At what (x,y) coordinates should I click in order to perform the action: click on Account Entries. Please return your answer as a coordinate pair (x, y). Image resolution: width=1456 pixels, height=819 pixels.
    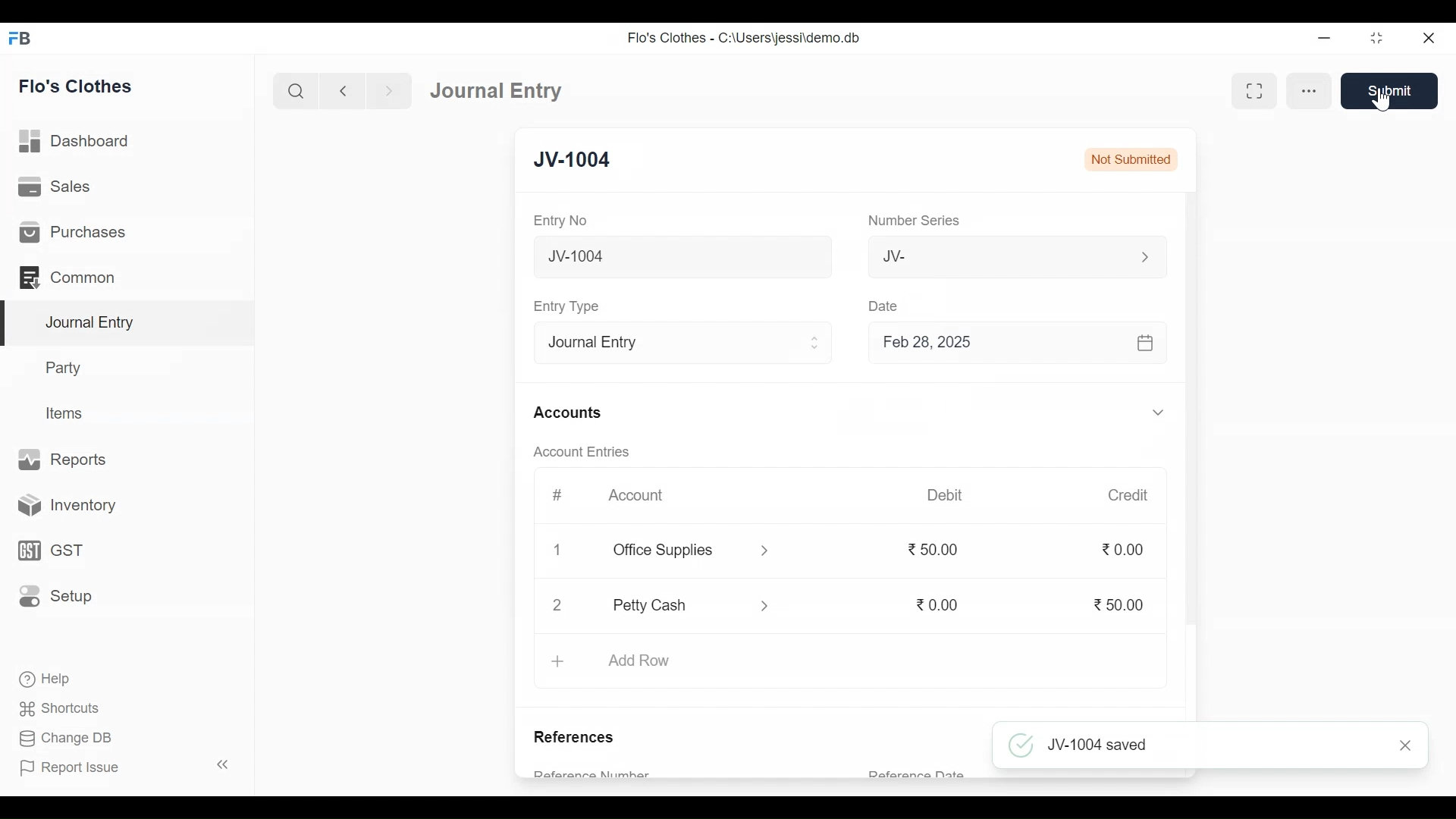
    Looking at the image, I should click on (581, 451).